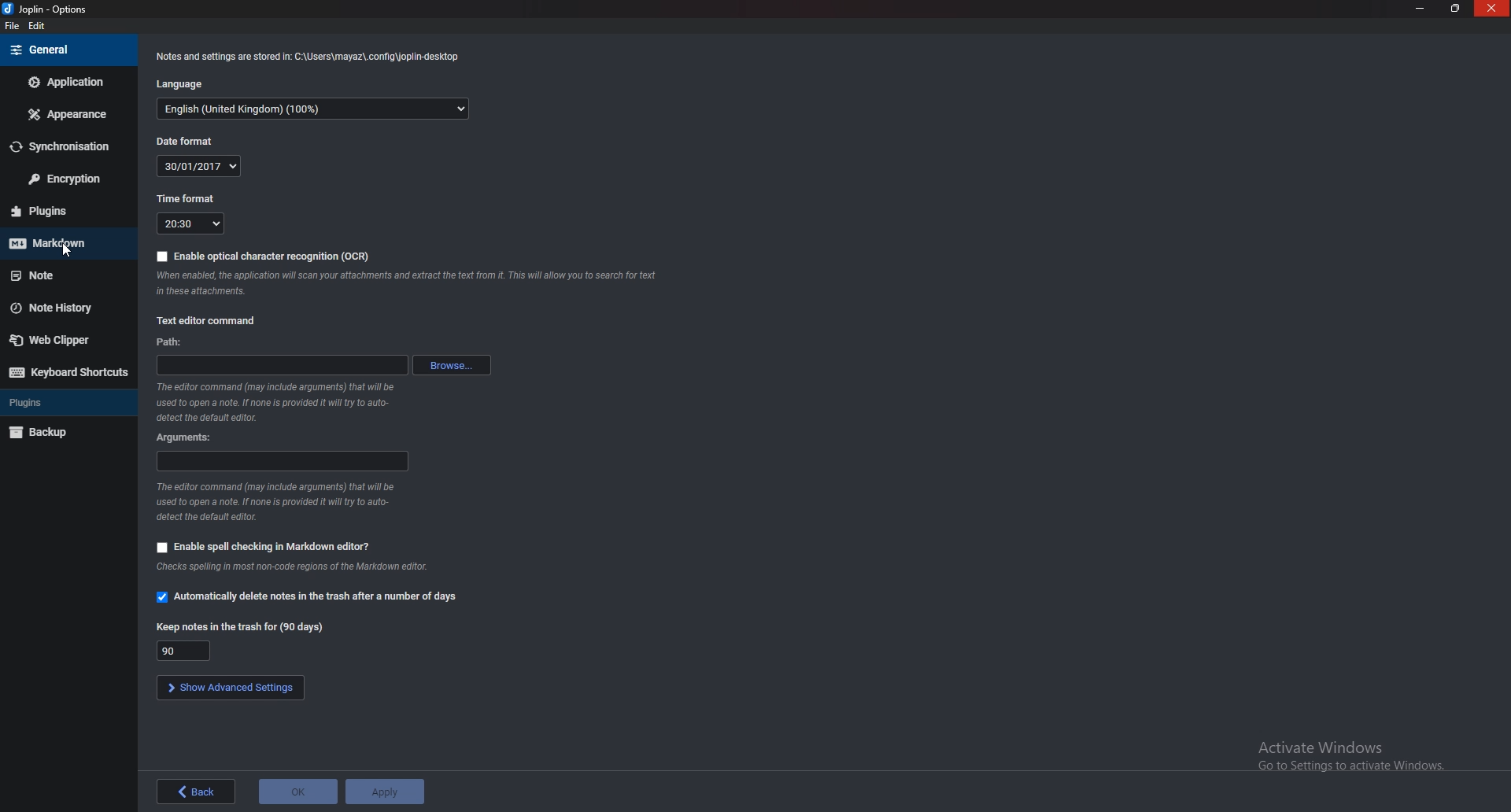  I want to click on Plugins, so click(65, 210).